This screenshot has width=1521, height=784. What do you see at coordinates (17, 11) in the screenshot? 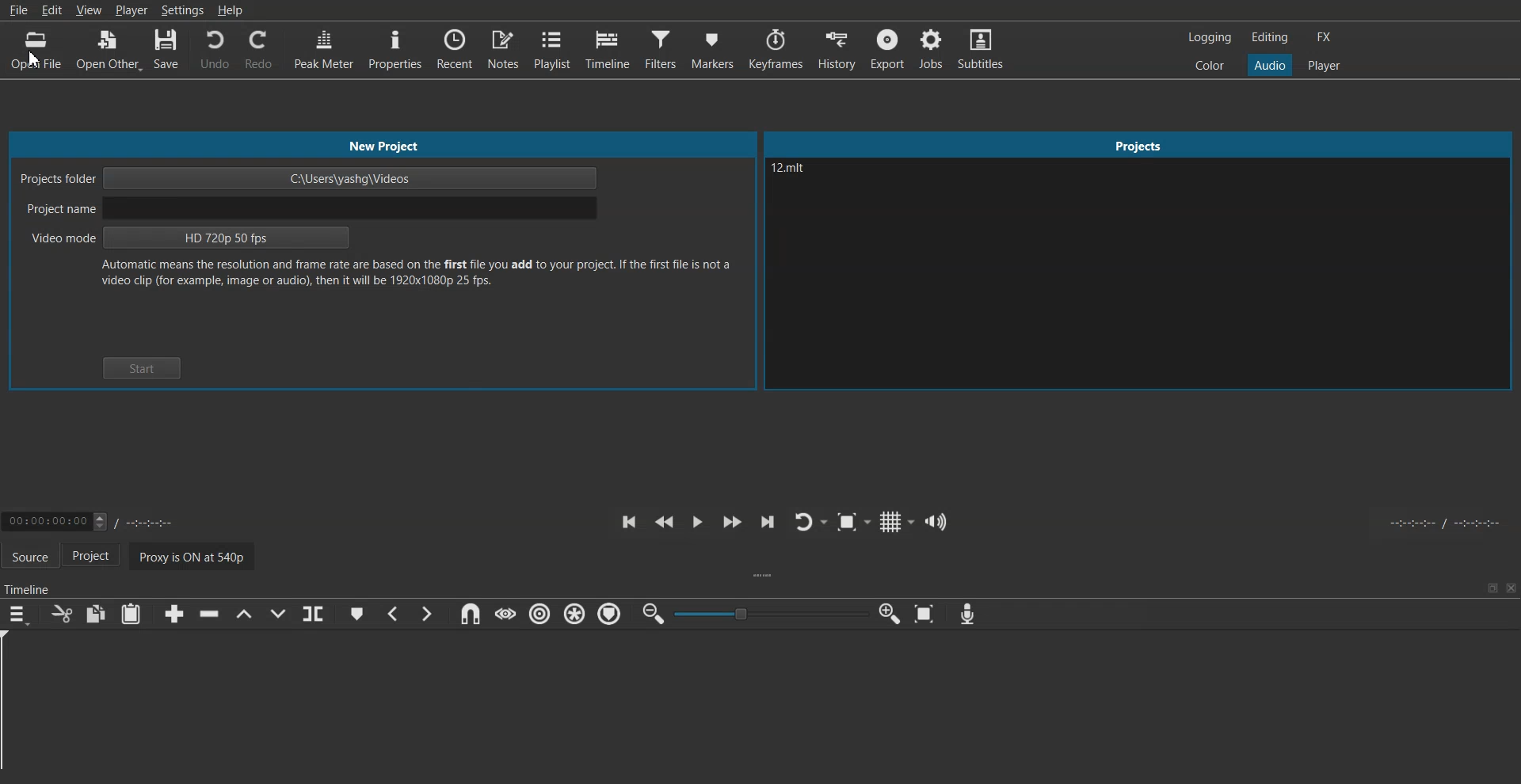
I see `File` at bounding box center [17, 11].